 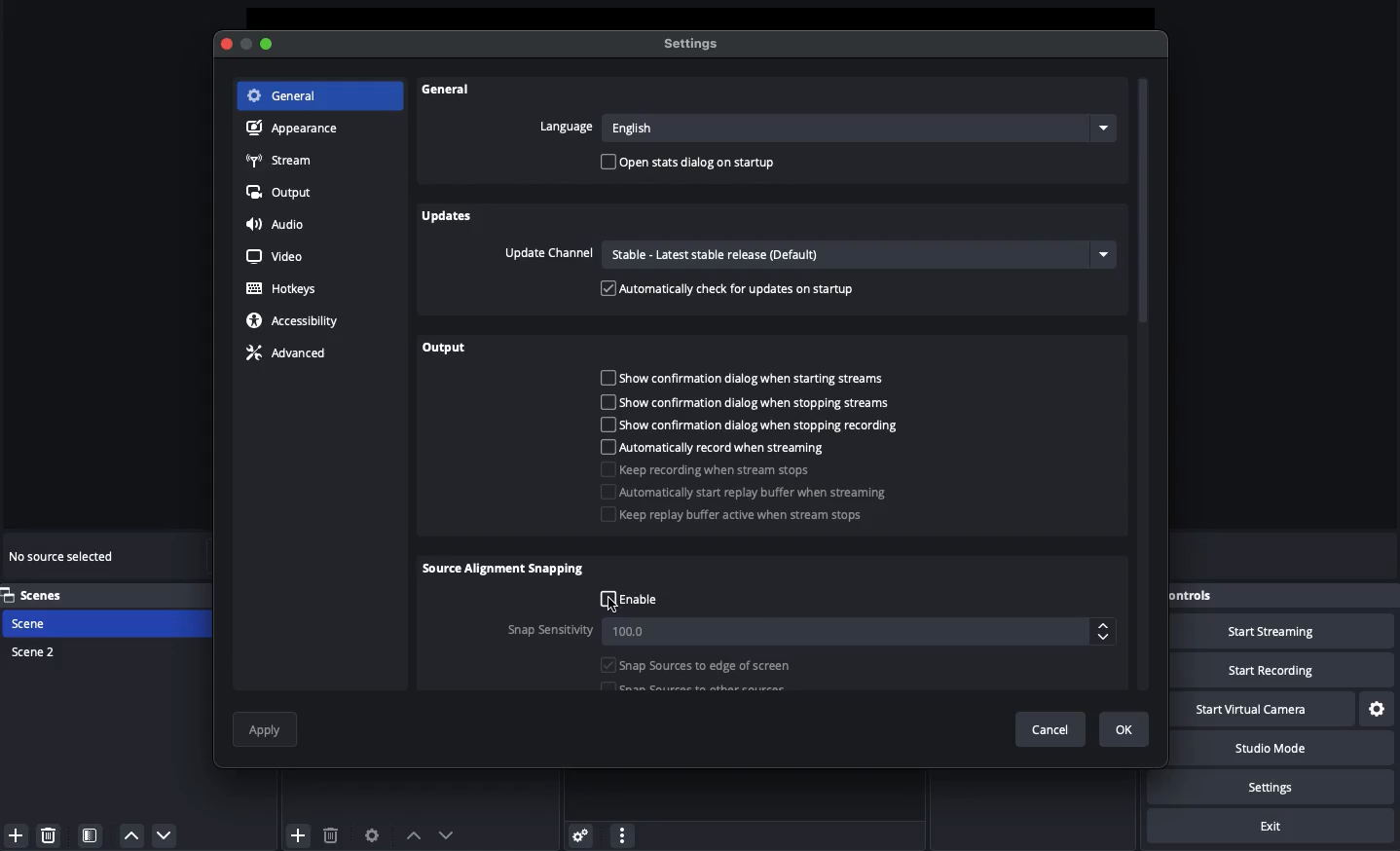 What do you see at coordinates (297, 129) in the screenshot?
I see `Appearance ` at bounding box center [297, 129].